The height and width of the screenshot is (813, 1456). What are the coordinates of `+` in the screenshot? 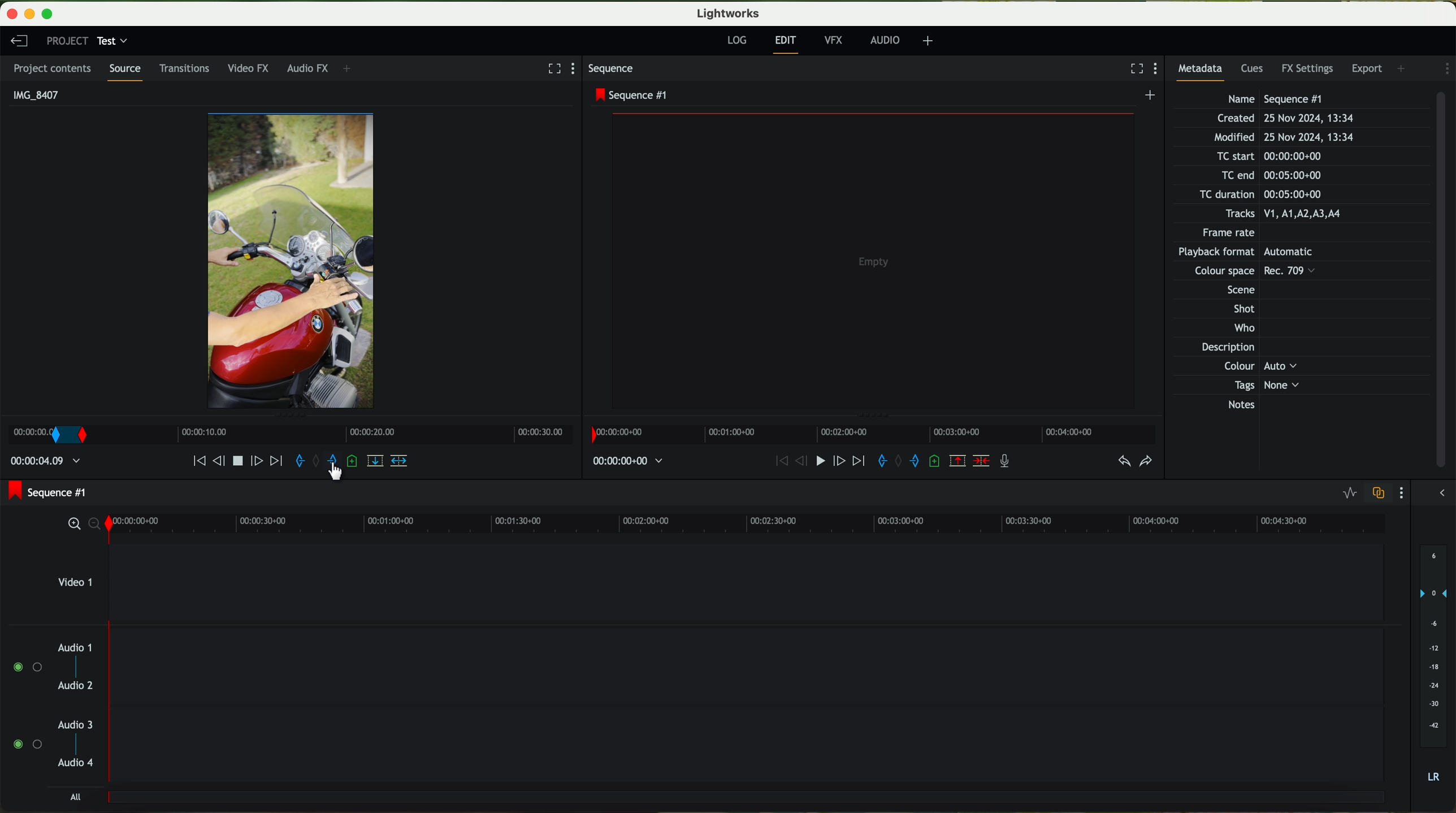 It's located at (928, 42).